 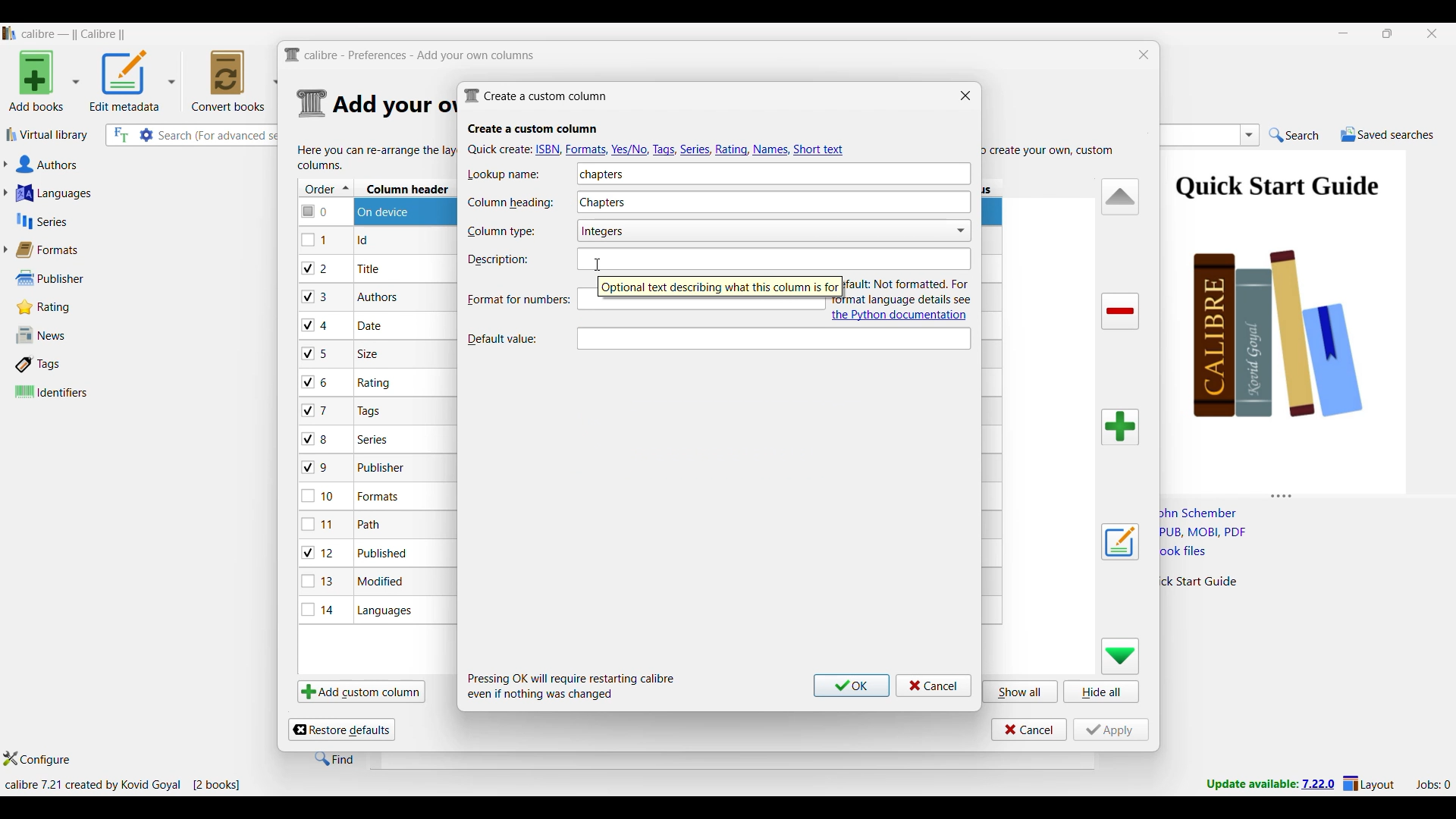 I want to click on Indicates Default value text box, so click(x=510, y=337).